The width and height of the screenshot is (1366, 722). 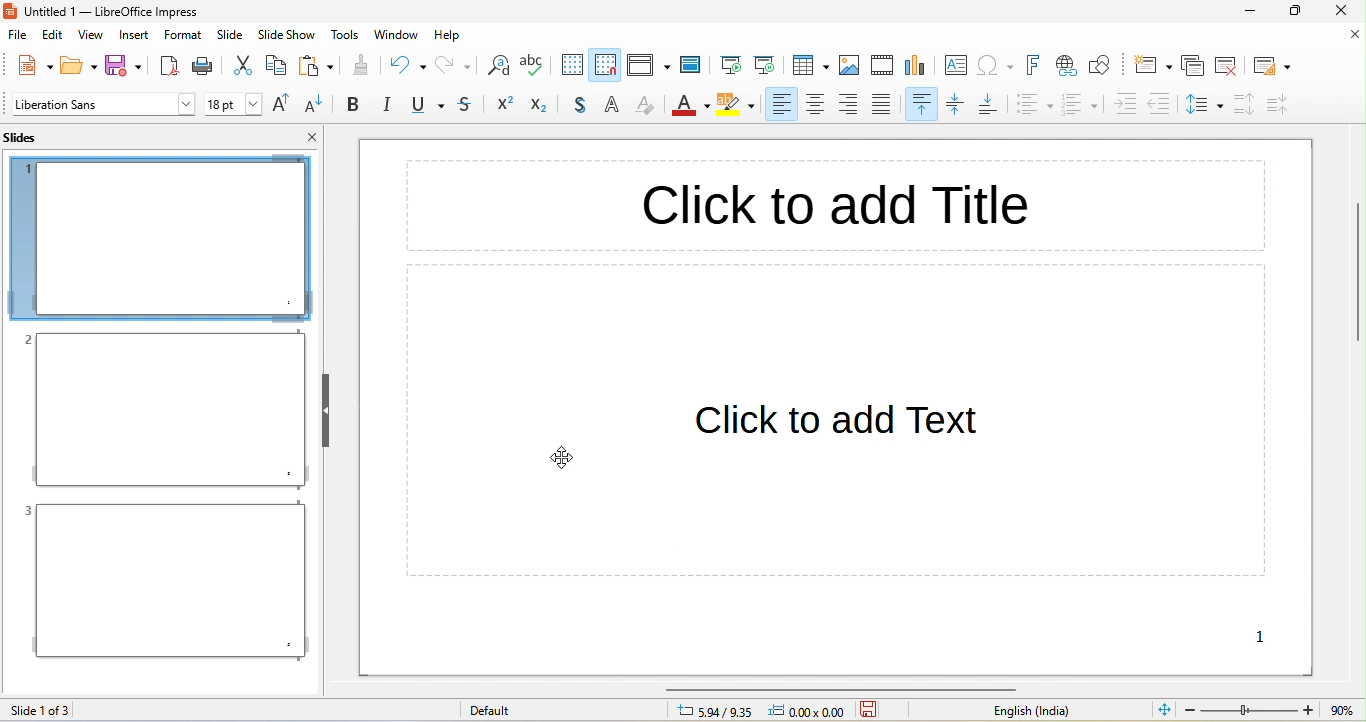 What do you see at coordinates (1151, 65) in the screenshot?
I see `new slide` at bounding box center [1151, 65].